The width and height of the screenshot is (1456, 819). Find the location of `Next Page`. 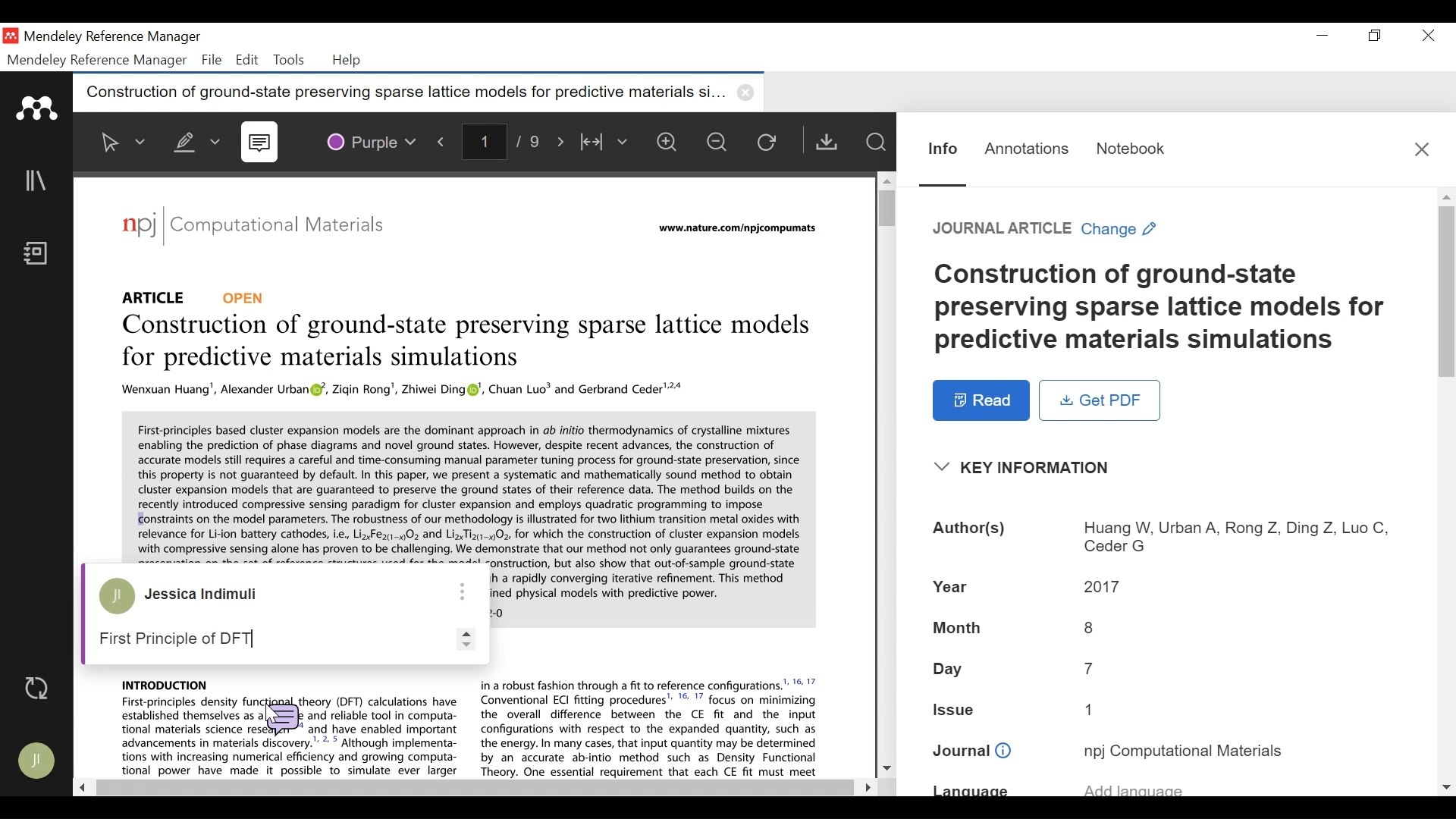

Next Page is located at coordinates (562, 142).